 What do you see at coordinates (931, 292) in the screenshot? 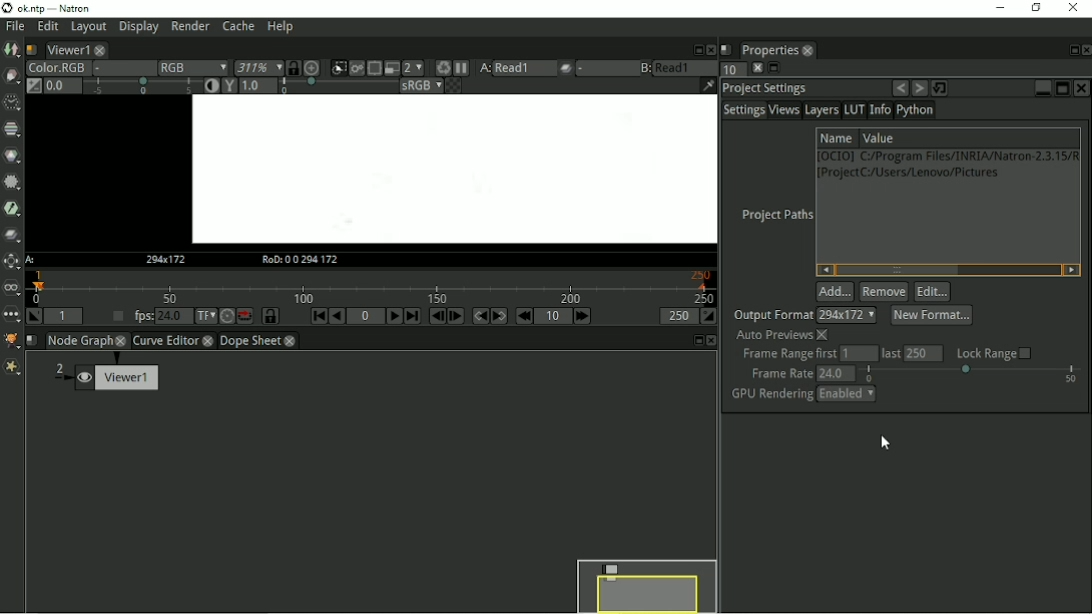
I see `Edit` at bounding box center [931, 292].